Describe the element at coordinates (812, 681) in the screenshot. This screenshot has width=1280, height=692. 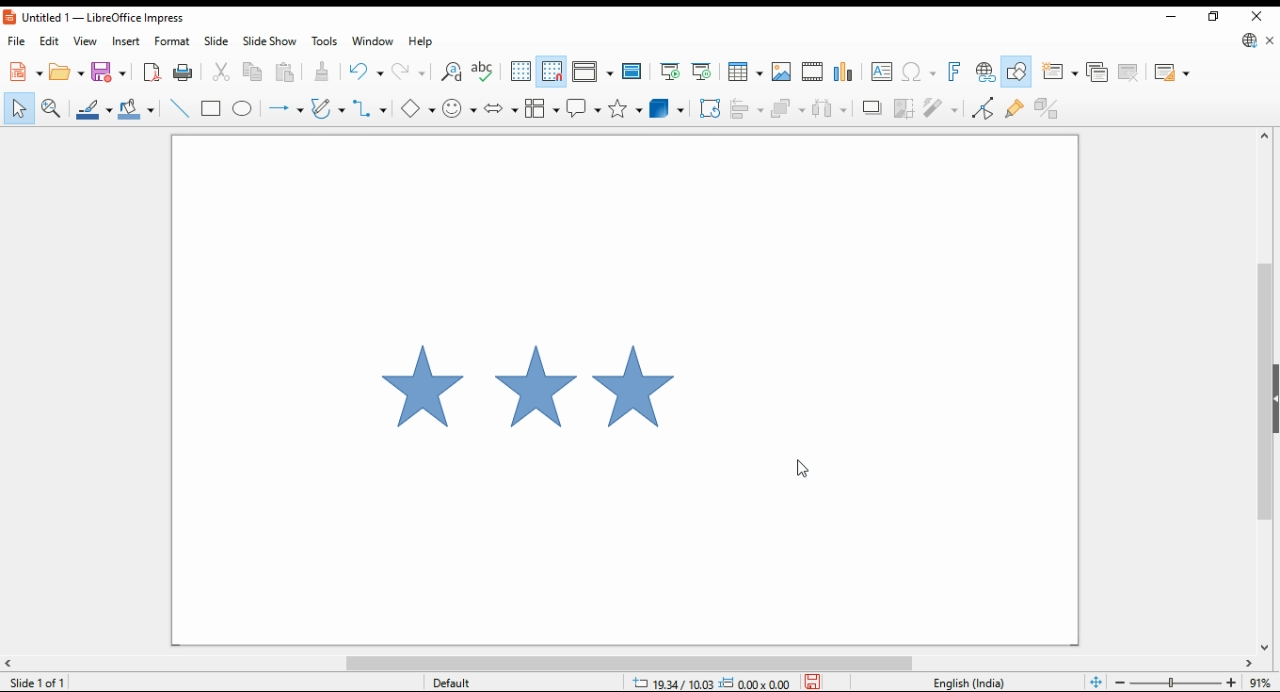
I see `save` at that location.